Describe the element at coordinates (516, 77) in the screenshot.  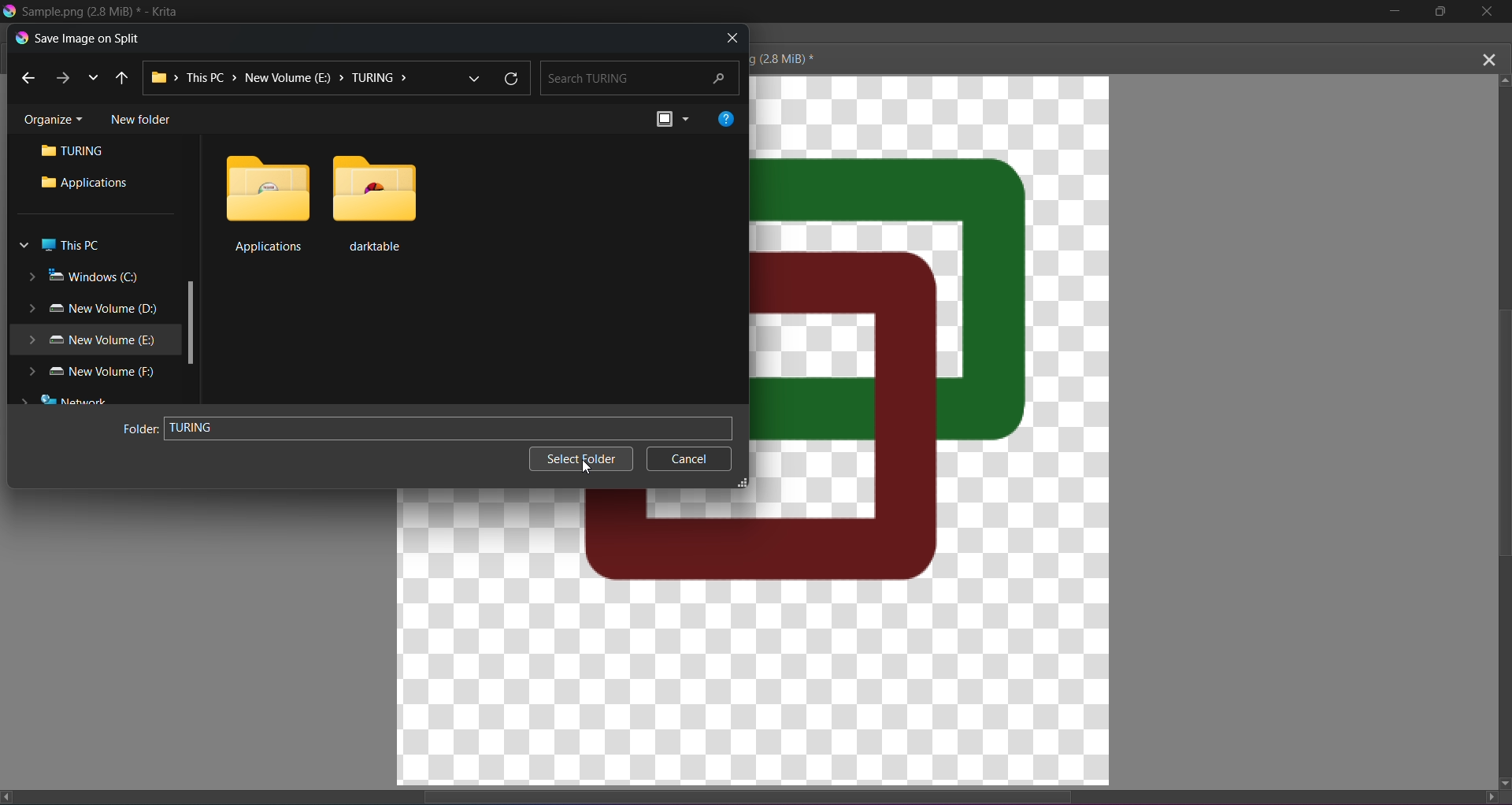
I see `Refresh` at that location.